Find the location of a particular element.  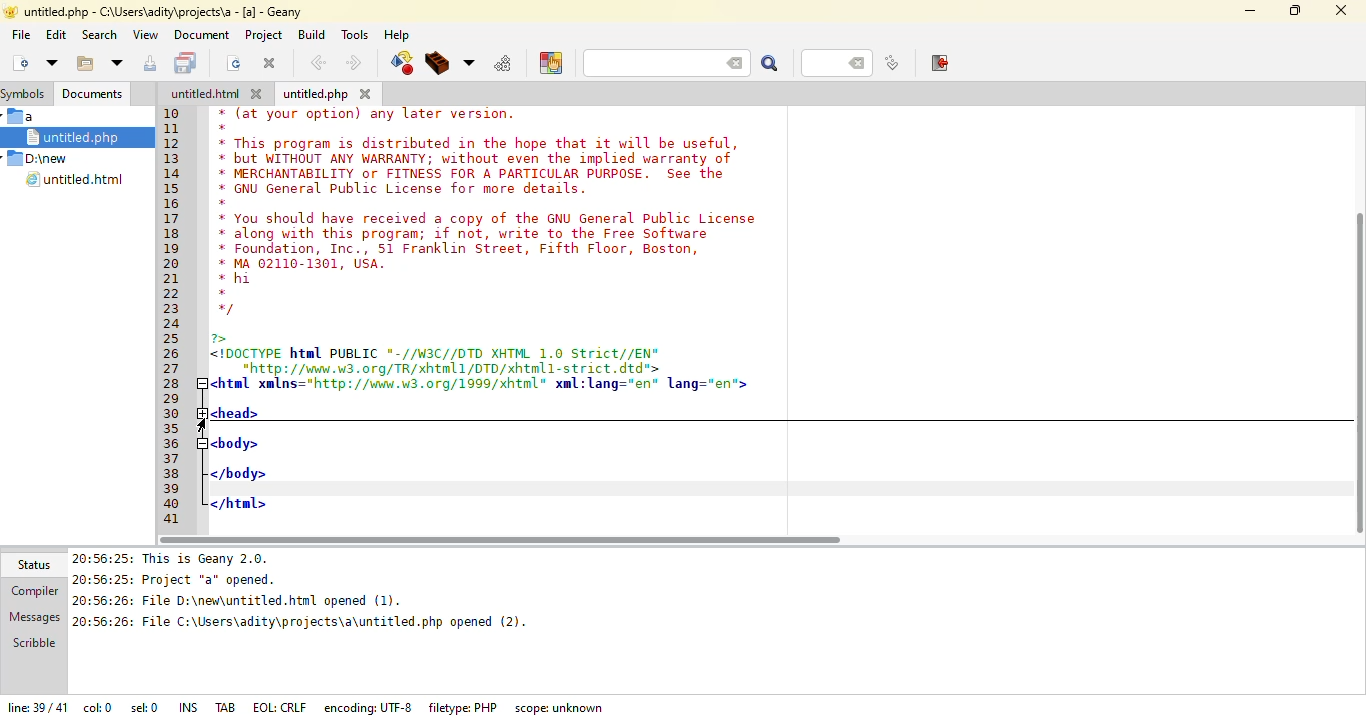

compiler is located at coordinates (35, 591).